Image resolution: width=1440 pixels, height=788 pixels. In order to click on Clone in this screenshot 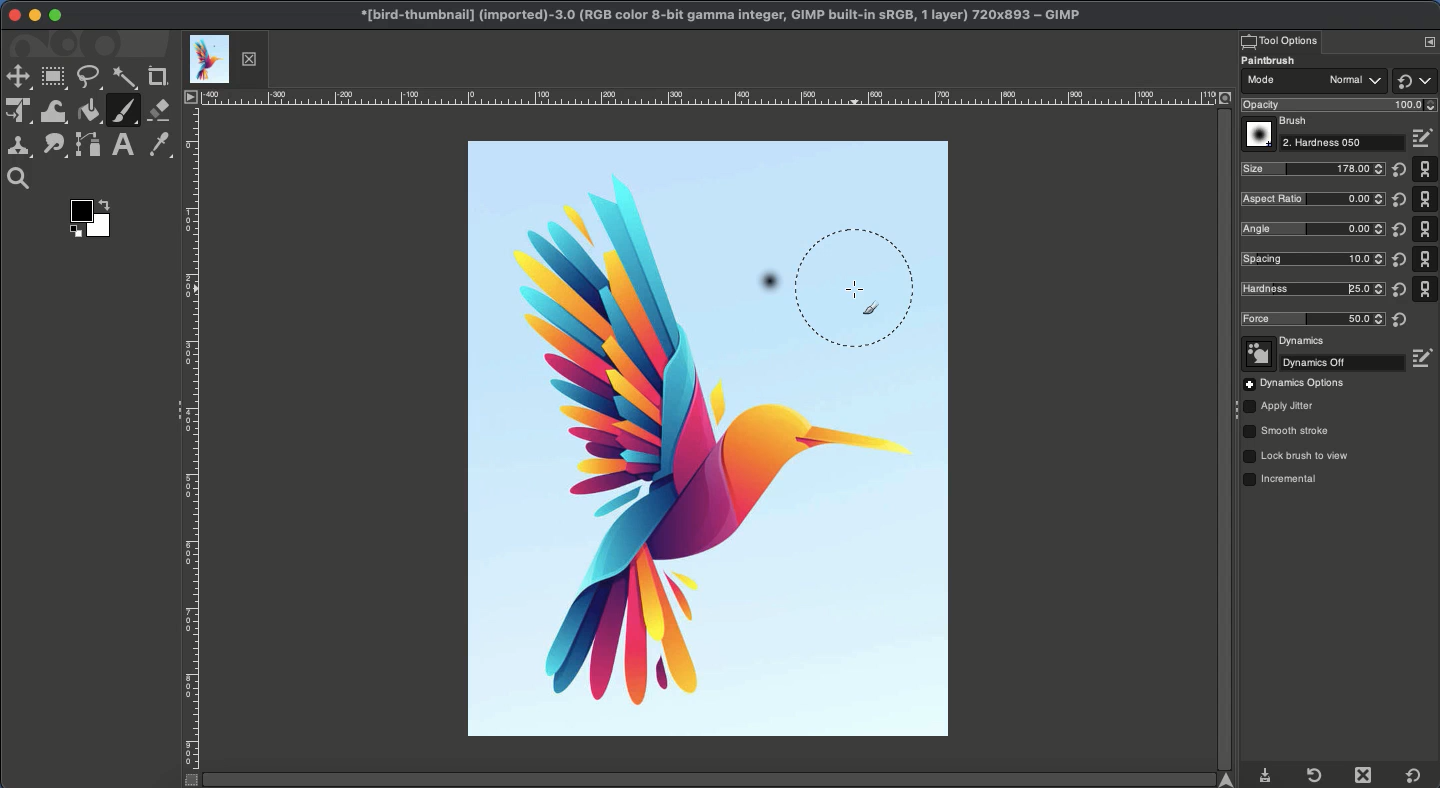, I will do `click(19, 149)`.